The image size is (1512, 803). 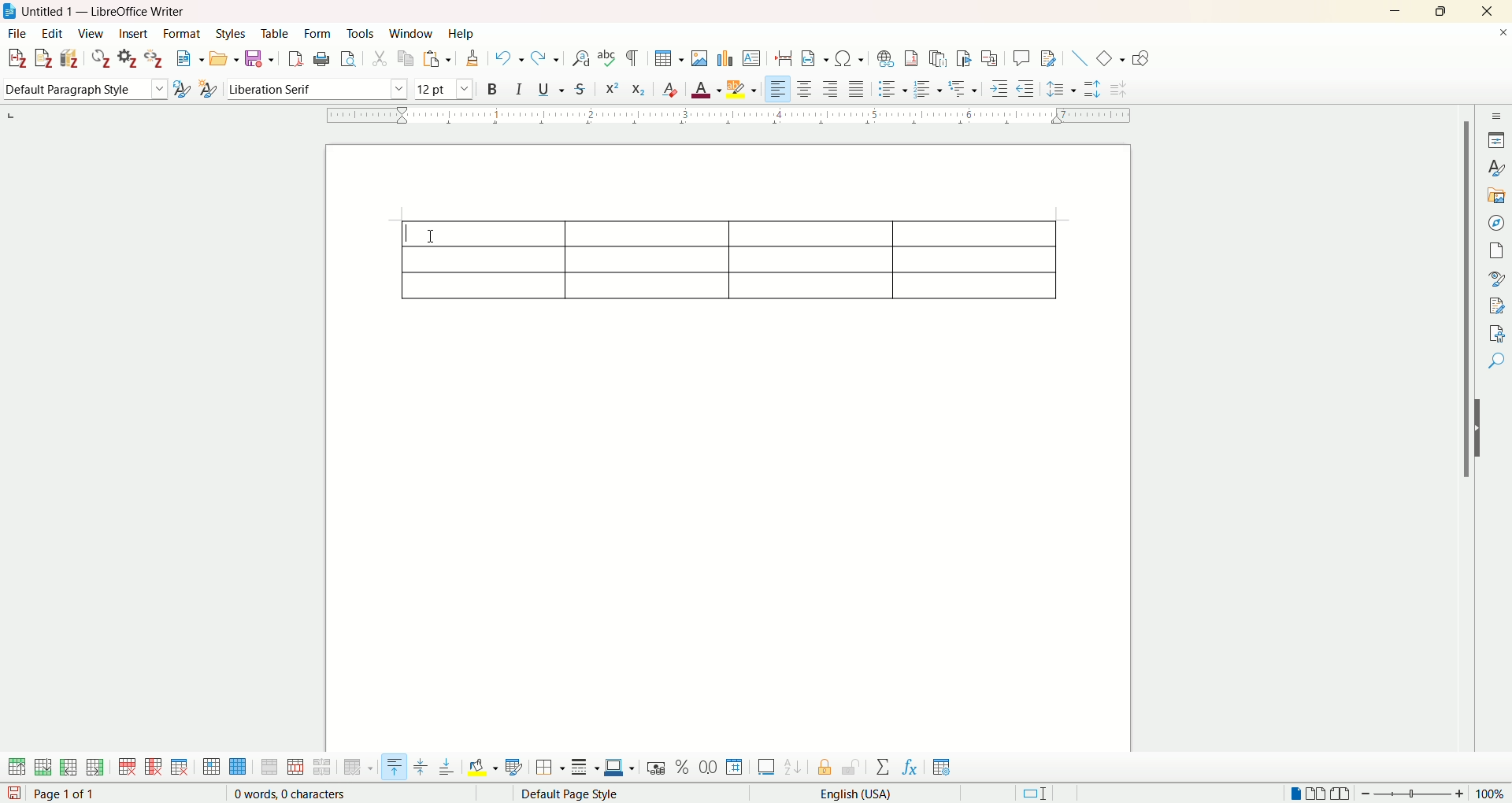 What do you see at coordinates (503, 58) in the screenshot?
I see `undo` at bounding box center [503, 58].